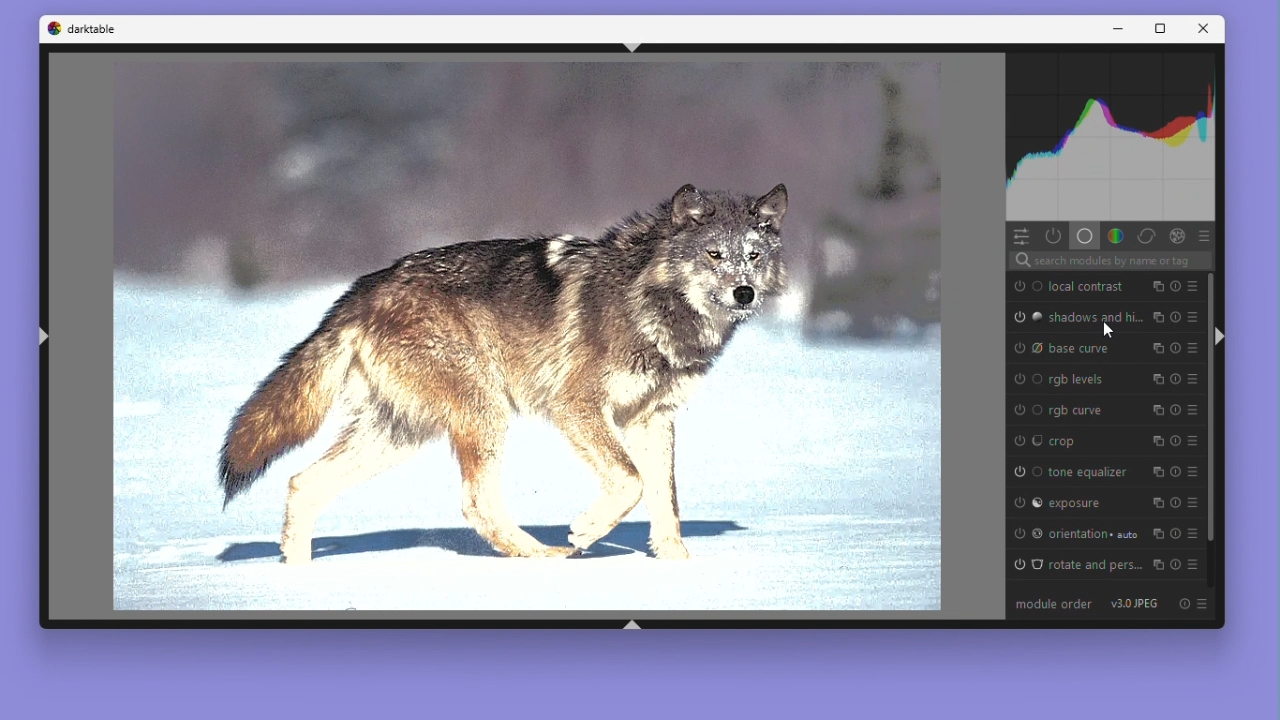 This screenshot has height=720, width=1280. What do you see at coordinates (1081, 410) in the screenshot?
I see `rgb curve` at bounding box center [1081, 410].